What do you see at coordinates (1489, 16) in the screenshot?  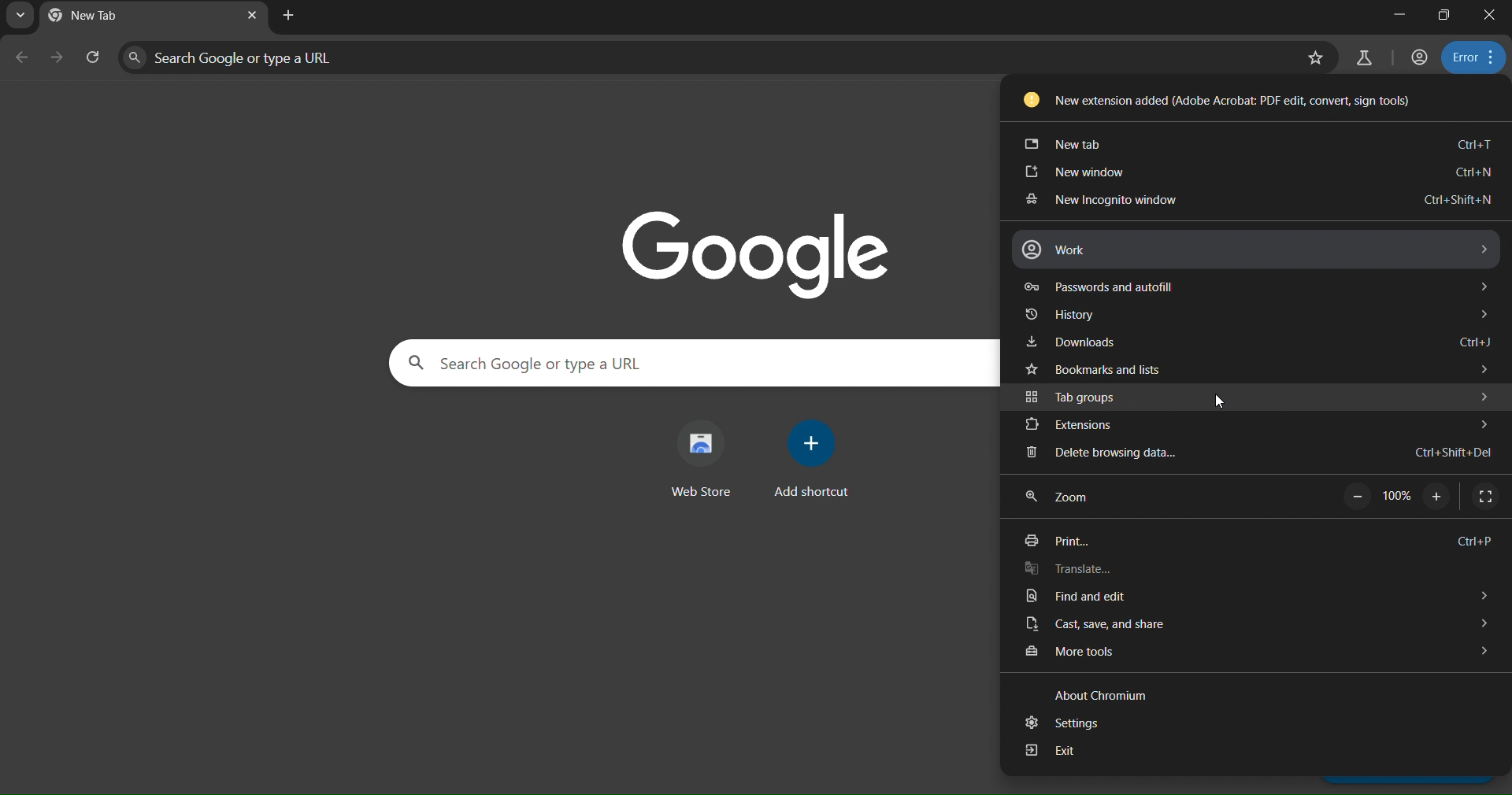 I see `close` at bounding box center [1489, 16].